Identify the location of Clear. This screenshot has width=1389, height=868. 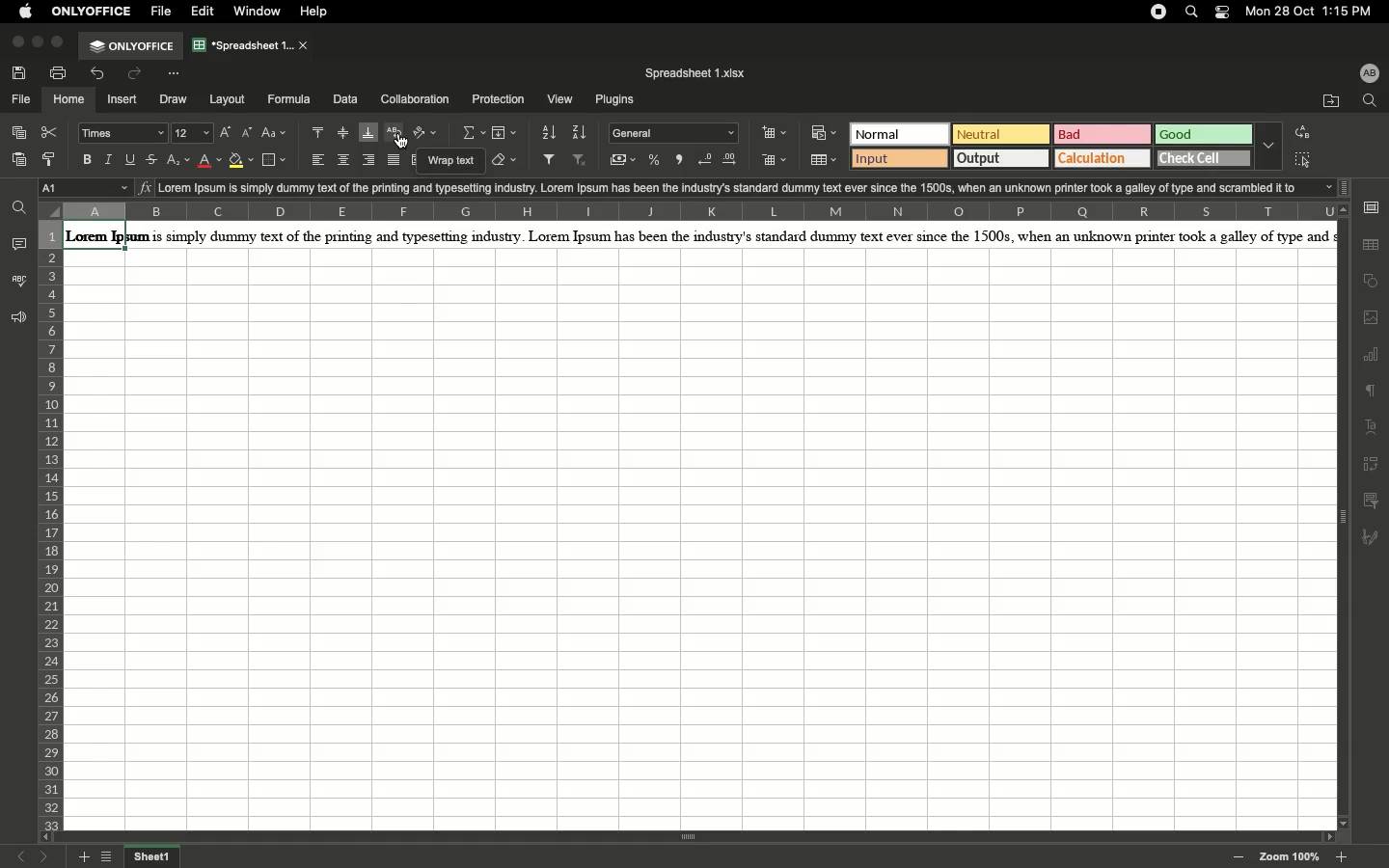
(505, 161).